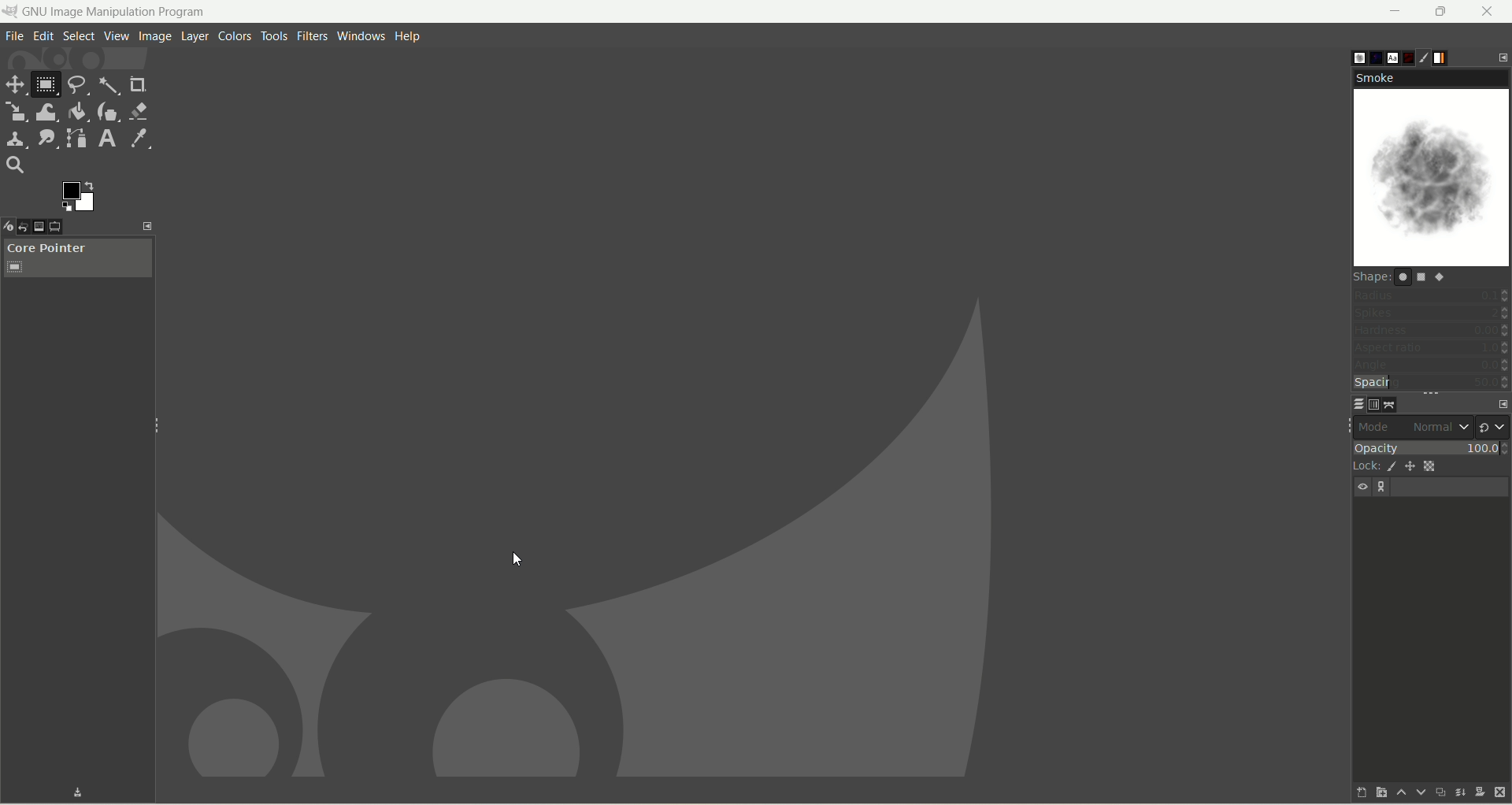 The height and width of the screenshot is (805, 1512). What do you see at coordinates (76, 112) in the screenshot?
I see `bucket fill tool` at bounding box center [76, 112].